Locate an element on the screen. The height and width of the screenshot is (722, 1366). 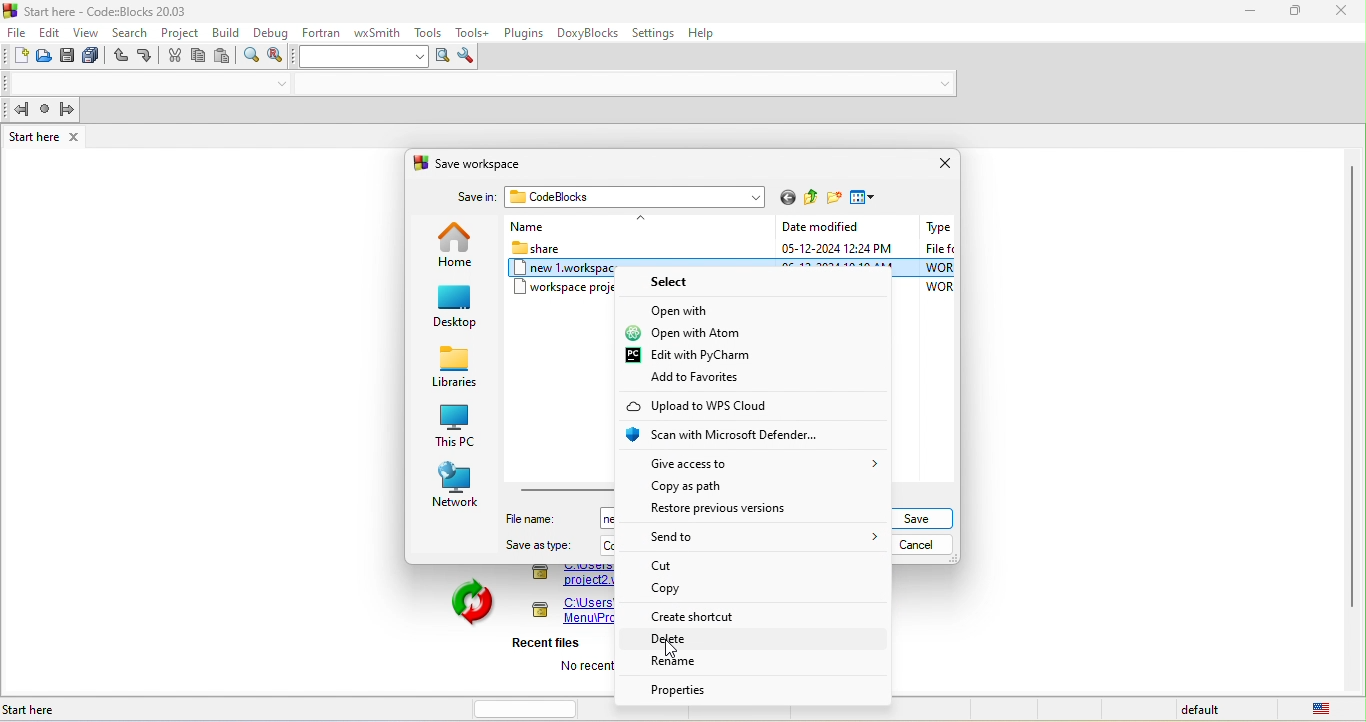
cut is located at coordinates (175, 58).